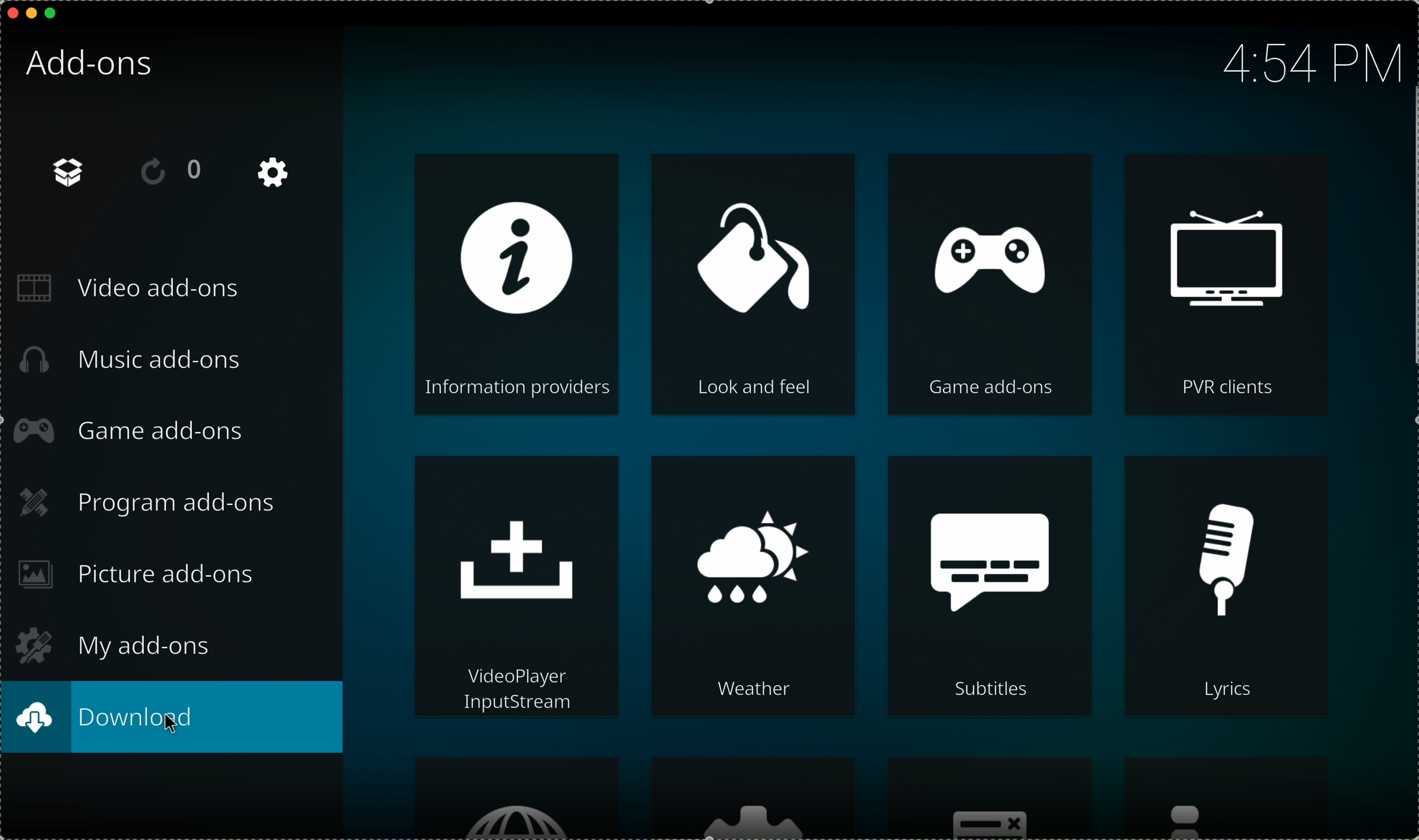 This screenshot has width=1419, height=840. Describe the element at coordinates (1230, 588) in the screenshot. I see `lyrics` at that location.